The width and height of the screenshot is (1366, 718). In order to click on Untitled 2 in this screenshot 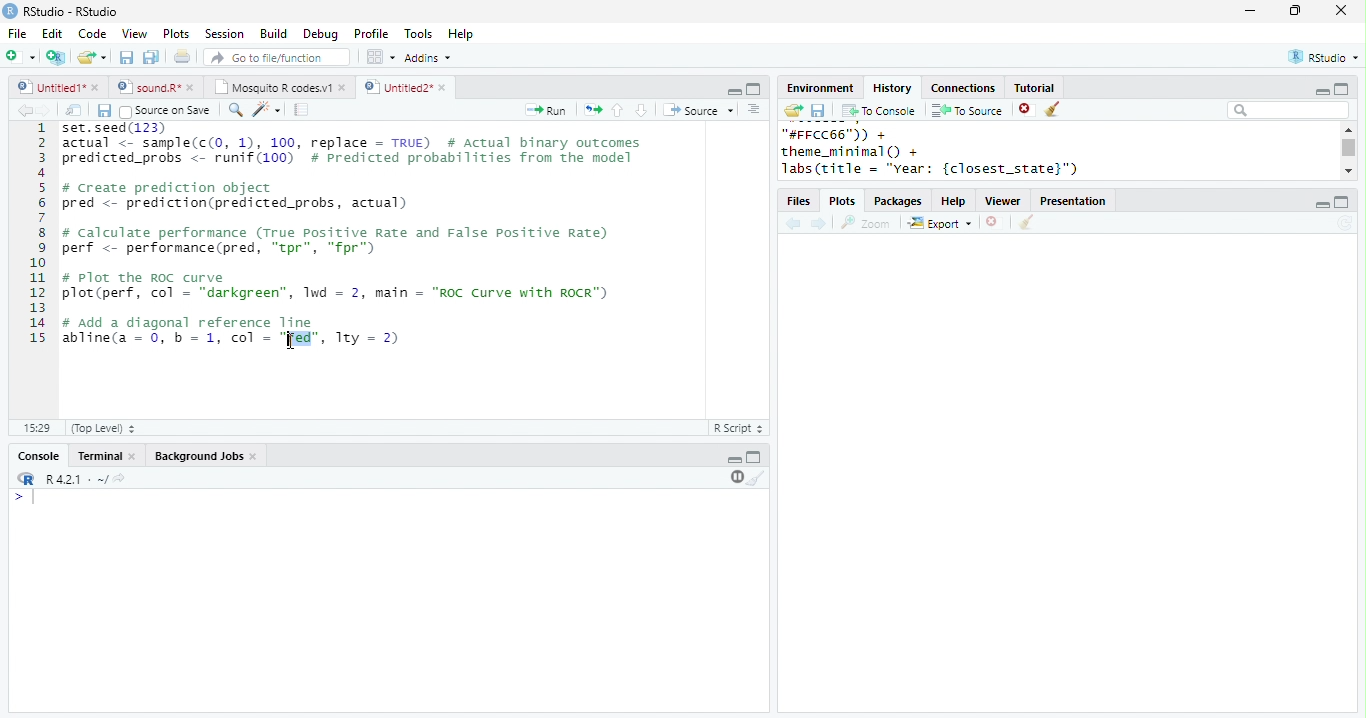, I will do `click(397, 86)`.